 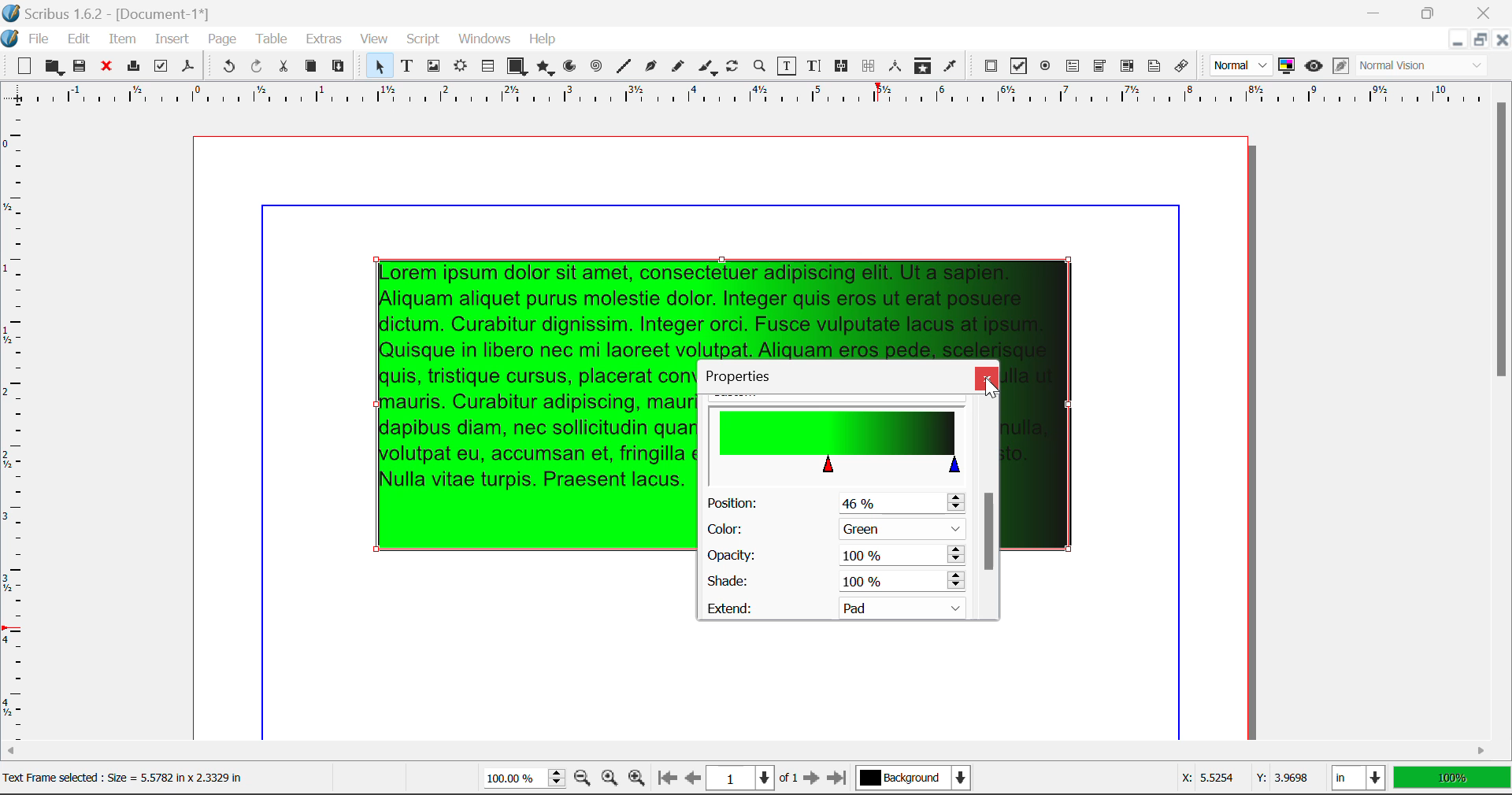 I want to click on Next Page, so click(x=811, y=779).